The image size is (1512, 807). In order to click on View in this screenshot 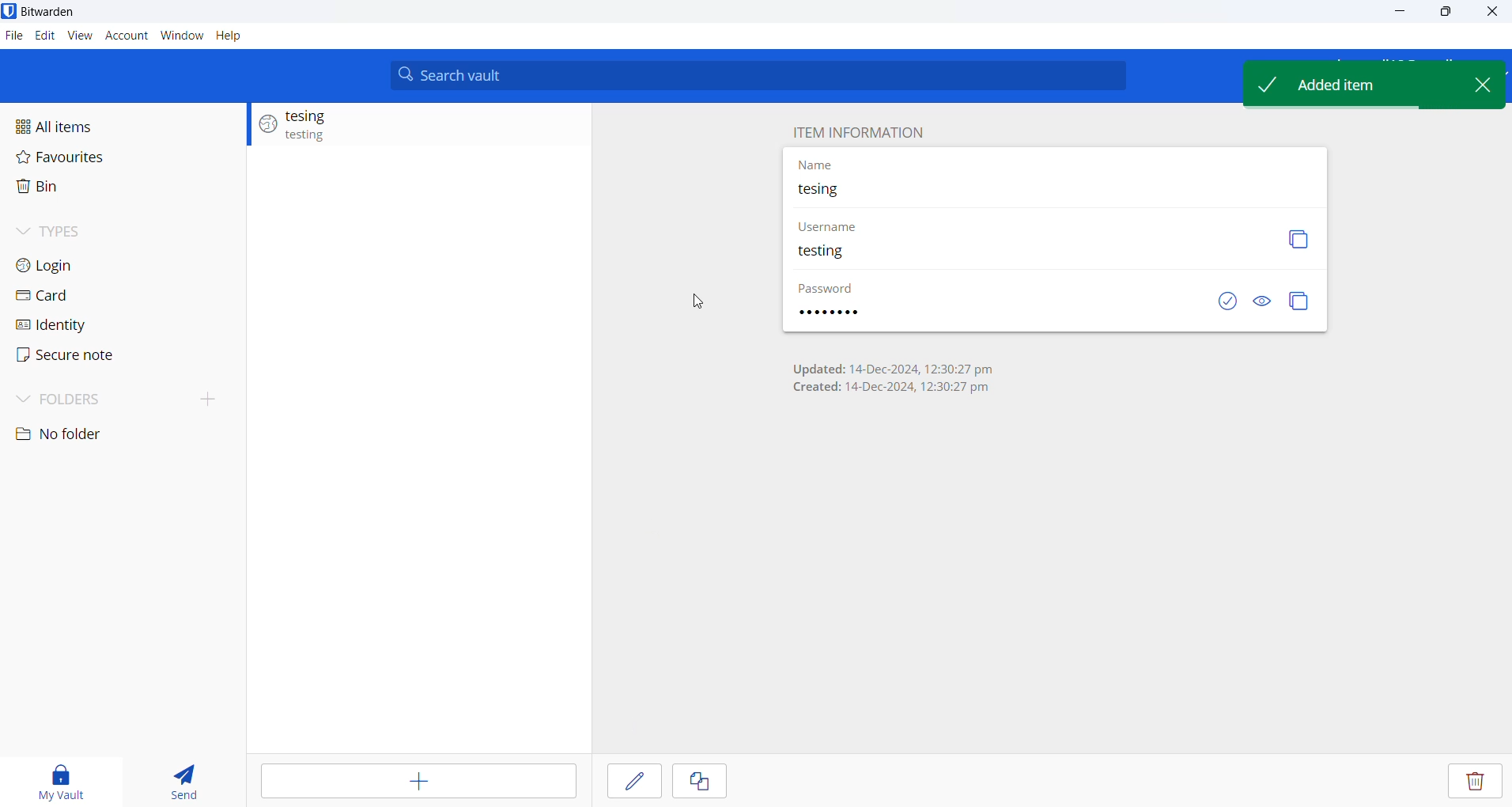, I will do `click(81, 36)`.